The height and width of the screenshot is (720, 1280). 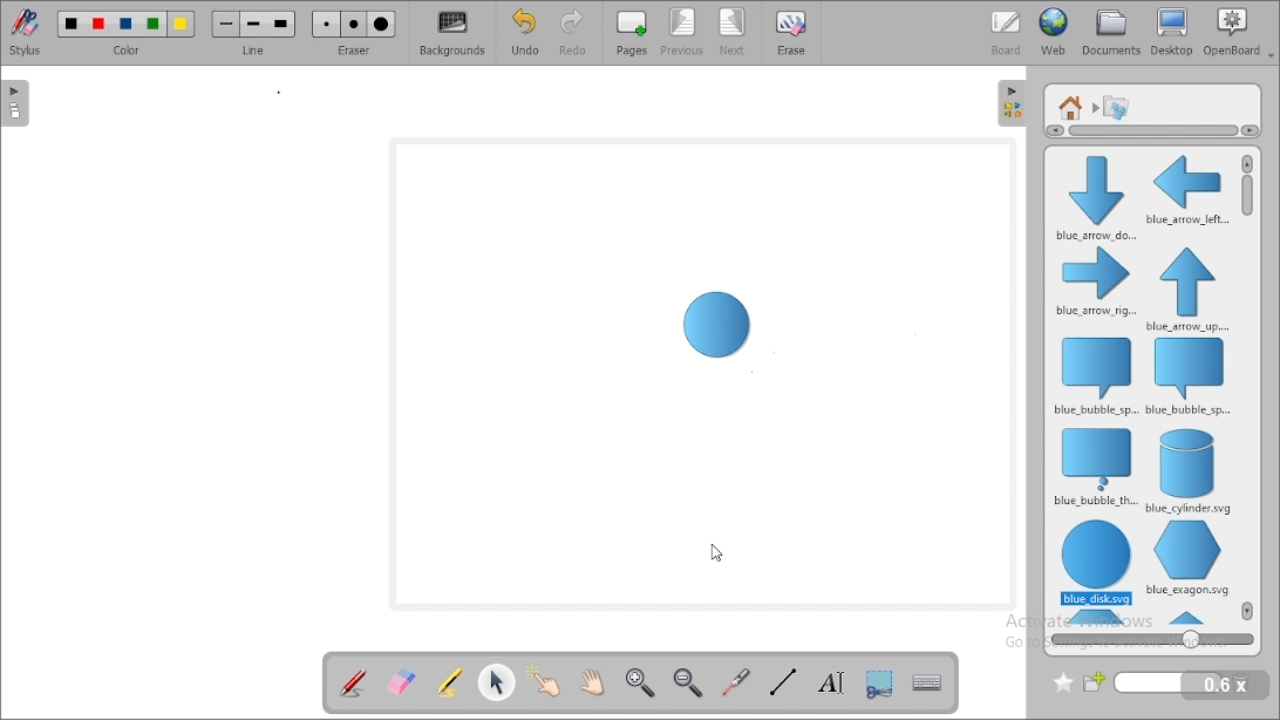 I want to click on desktop, so click(x=1173, y=32).